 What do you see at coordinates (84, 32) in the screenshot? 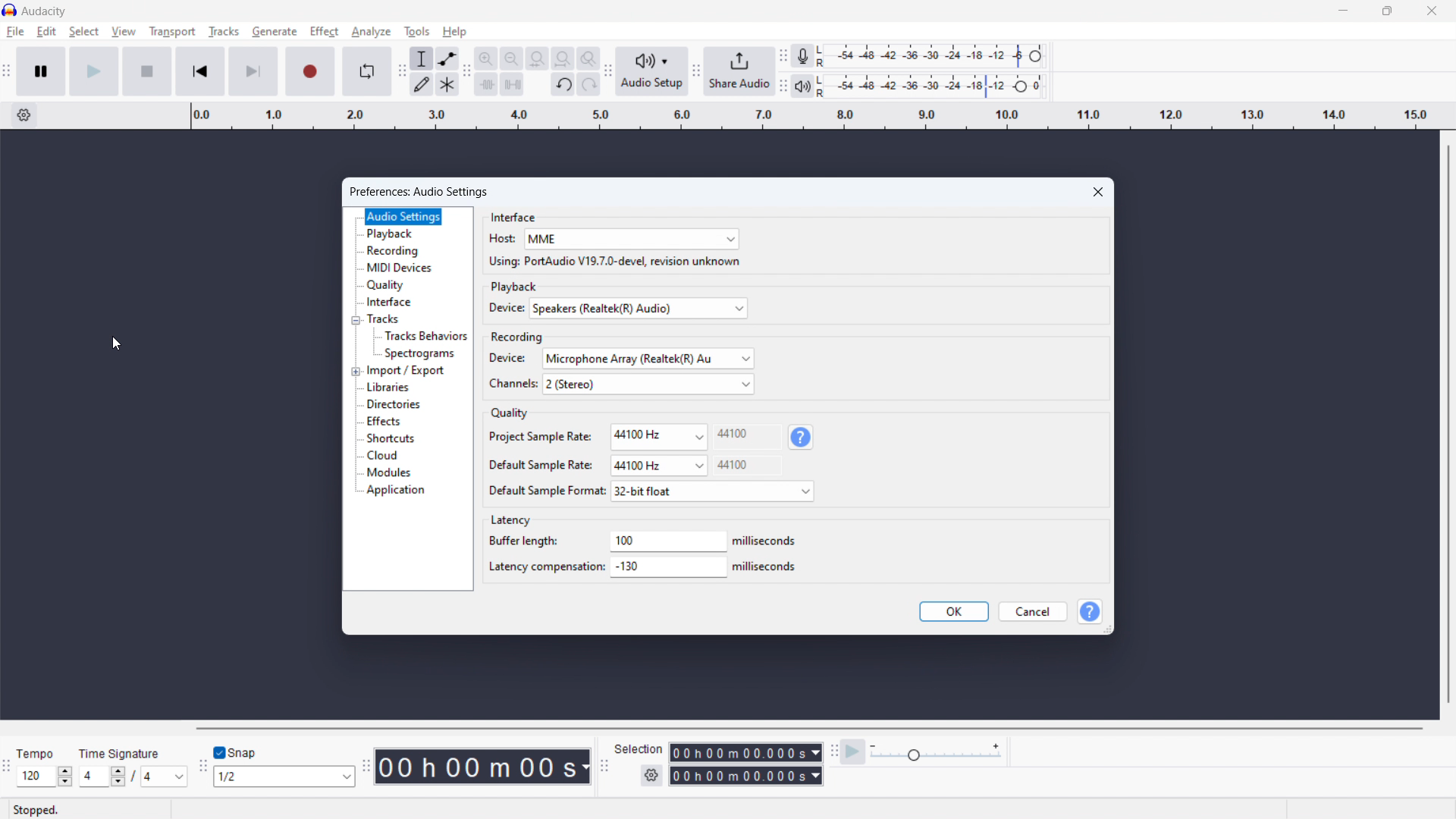
I see `select` at bounding box center [84, 32].